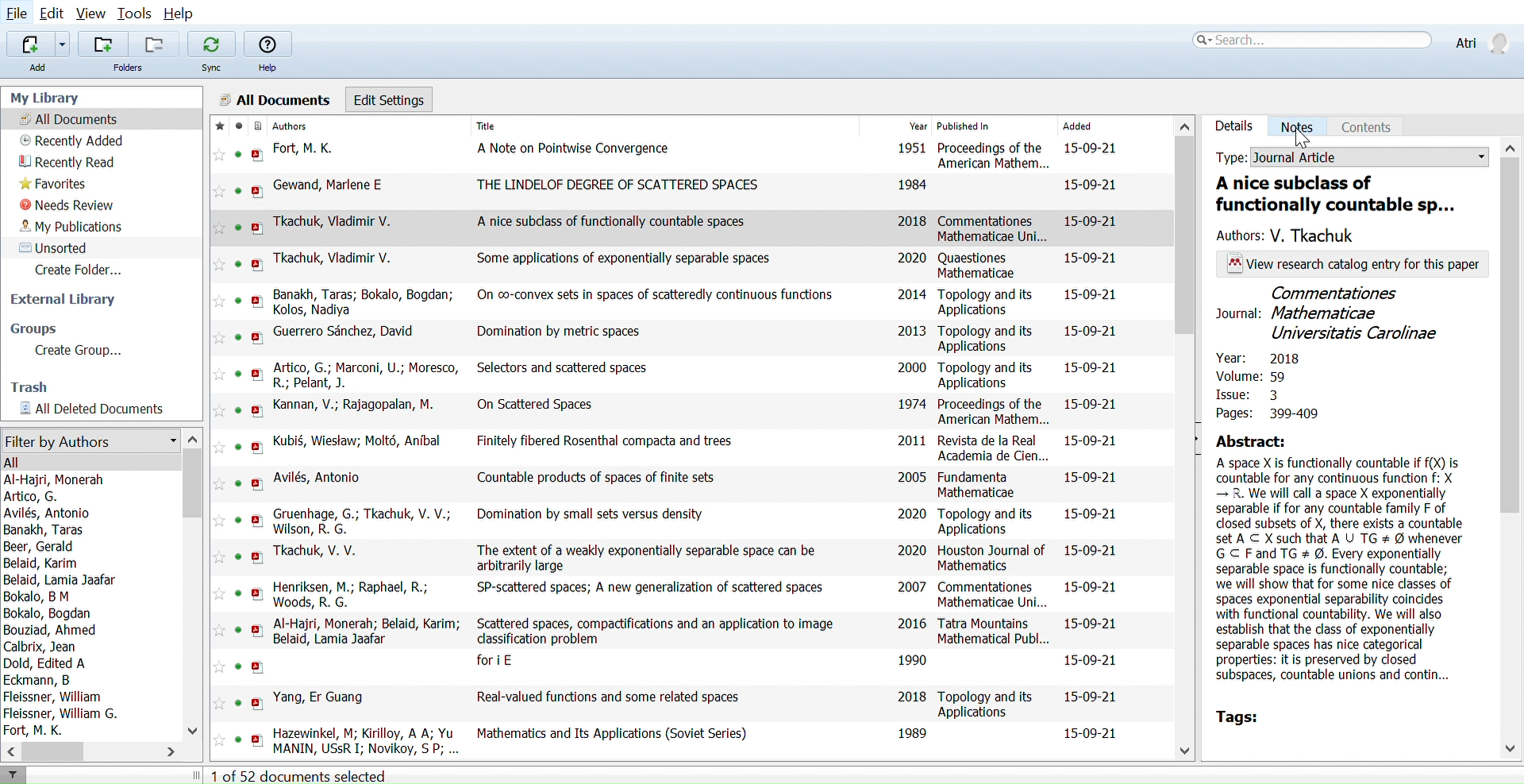 The height and width of the screenshot is (784, 1524). Describe the element at coordinates (1255, 376) in the screenshot. I see `Volume: 59` at that location.